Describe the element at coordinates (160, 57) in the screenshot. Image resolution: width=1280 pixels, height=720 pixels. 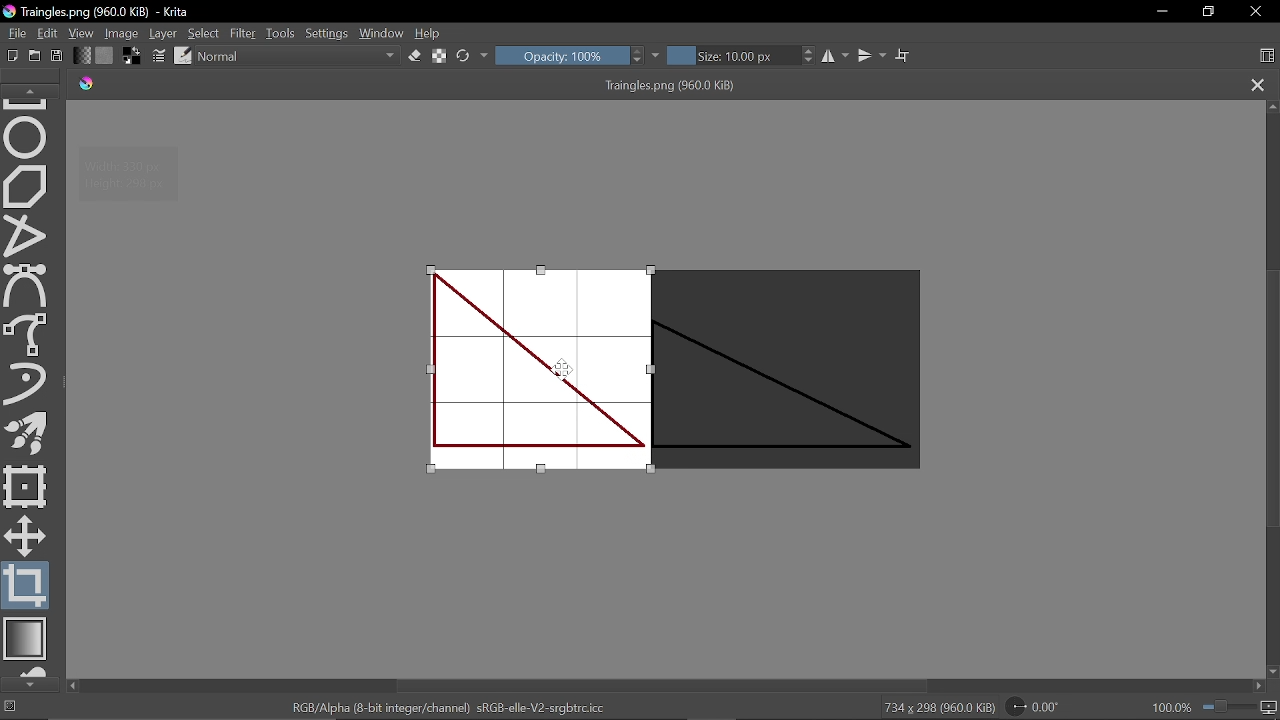
I see `Edit brush settings` at that location.